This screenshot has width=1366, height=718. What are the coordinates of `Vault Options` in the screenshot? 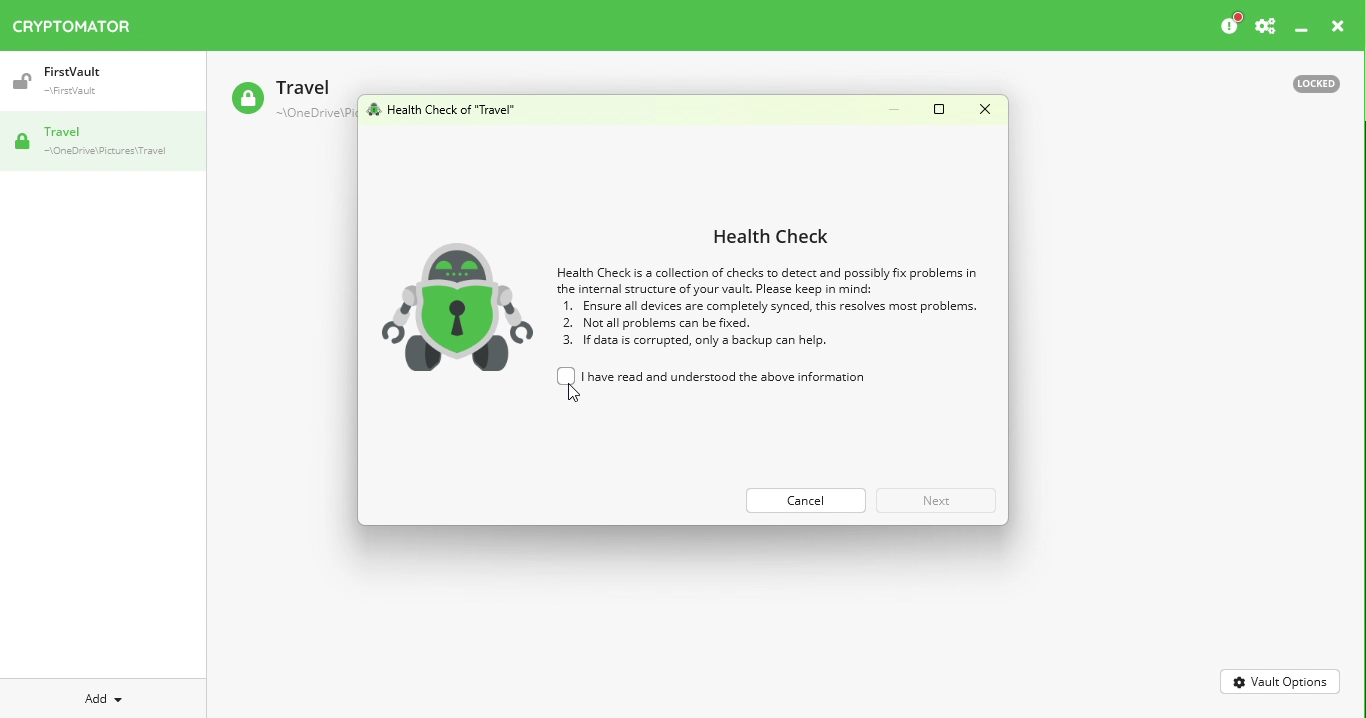 It's located at (1282, 682).